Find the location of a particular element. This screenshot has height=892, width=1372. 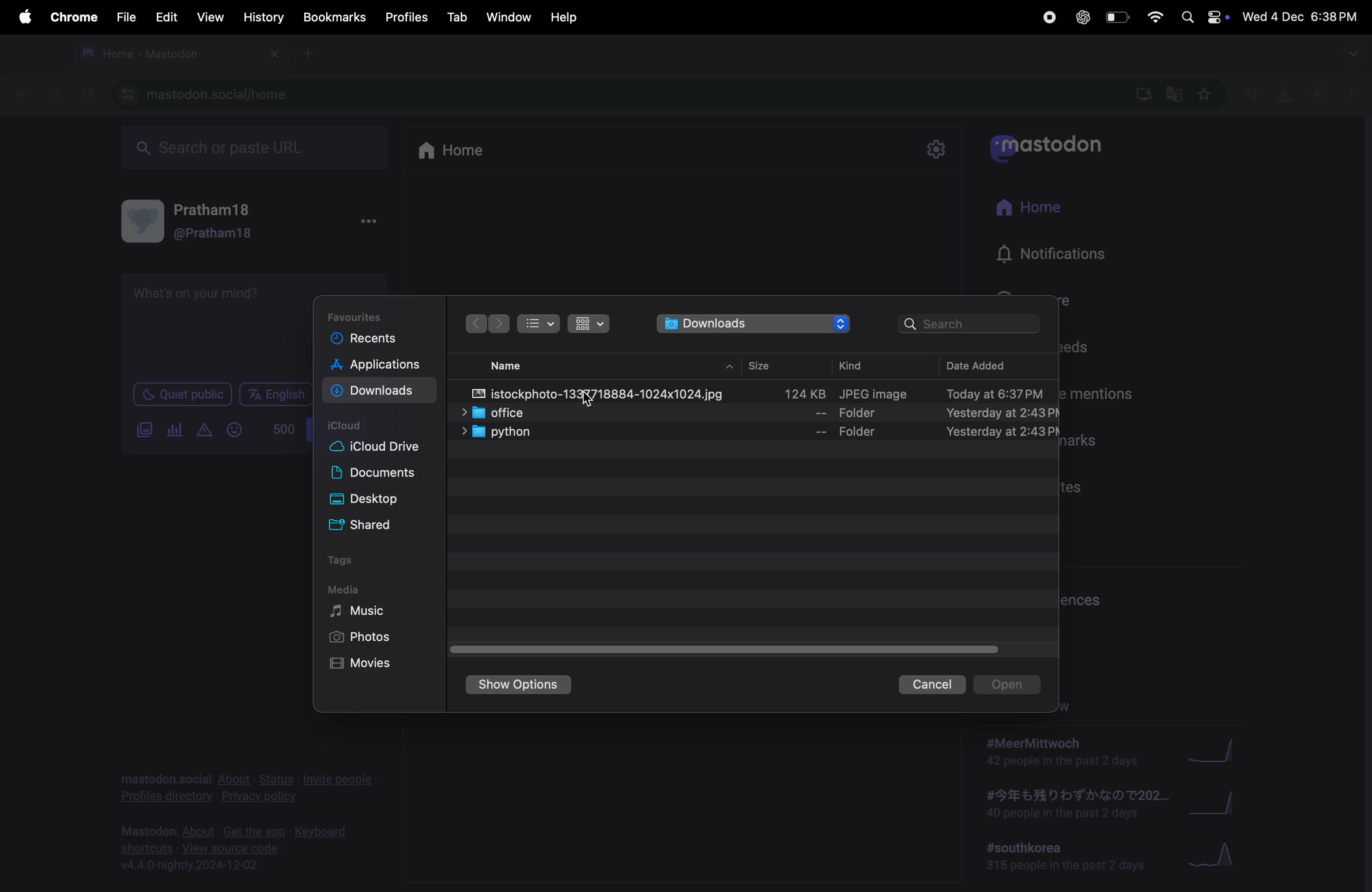

python file is located at coordinates (747, 432).